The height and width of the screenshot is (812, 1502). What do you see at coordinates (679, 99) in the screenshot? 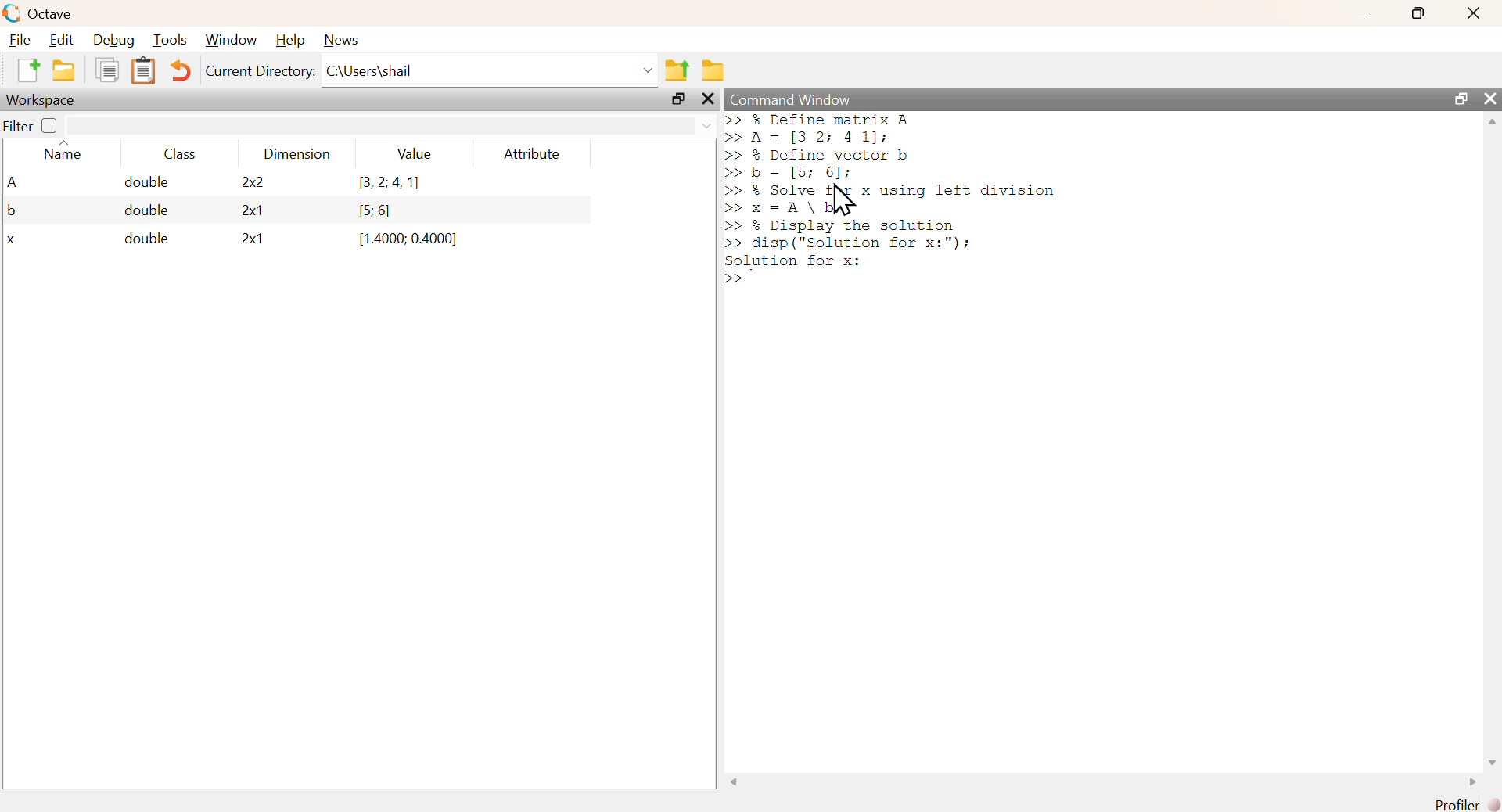
I see `maximize` at bounding box center [679, 99].